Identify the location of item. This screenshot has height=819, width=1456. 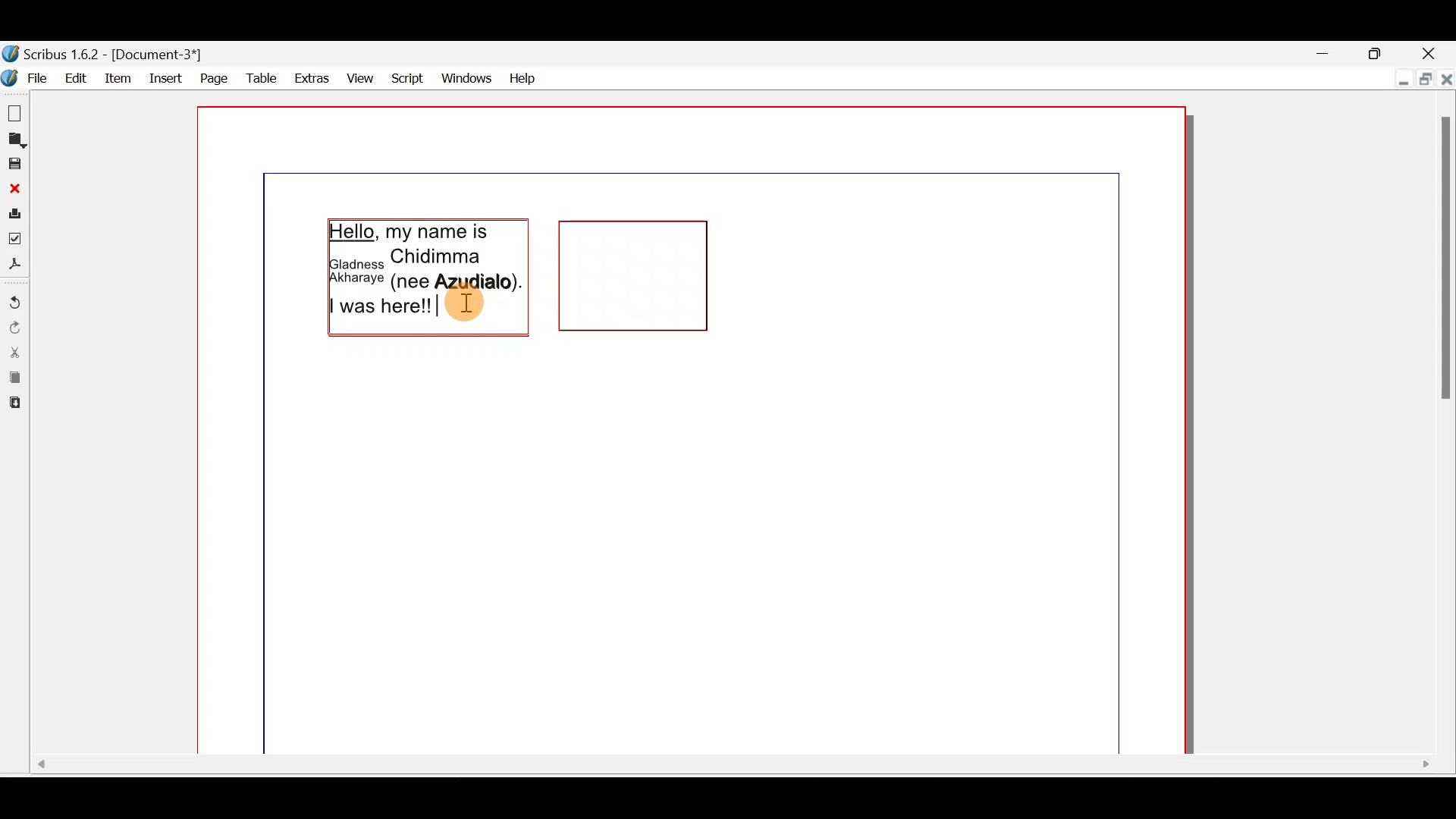
(119, 78).